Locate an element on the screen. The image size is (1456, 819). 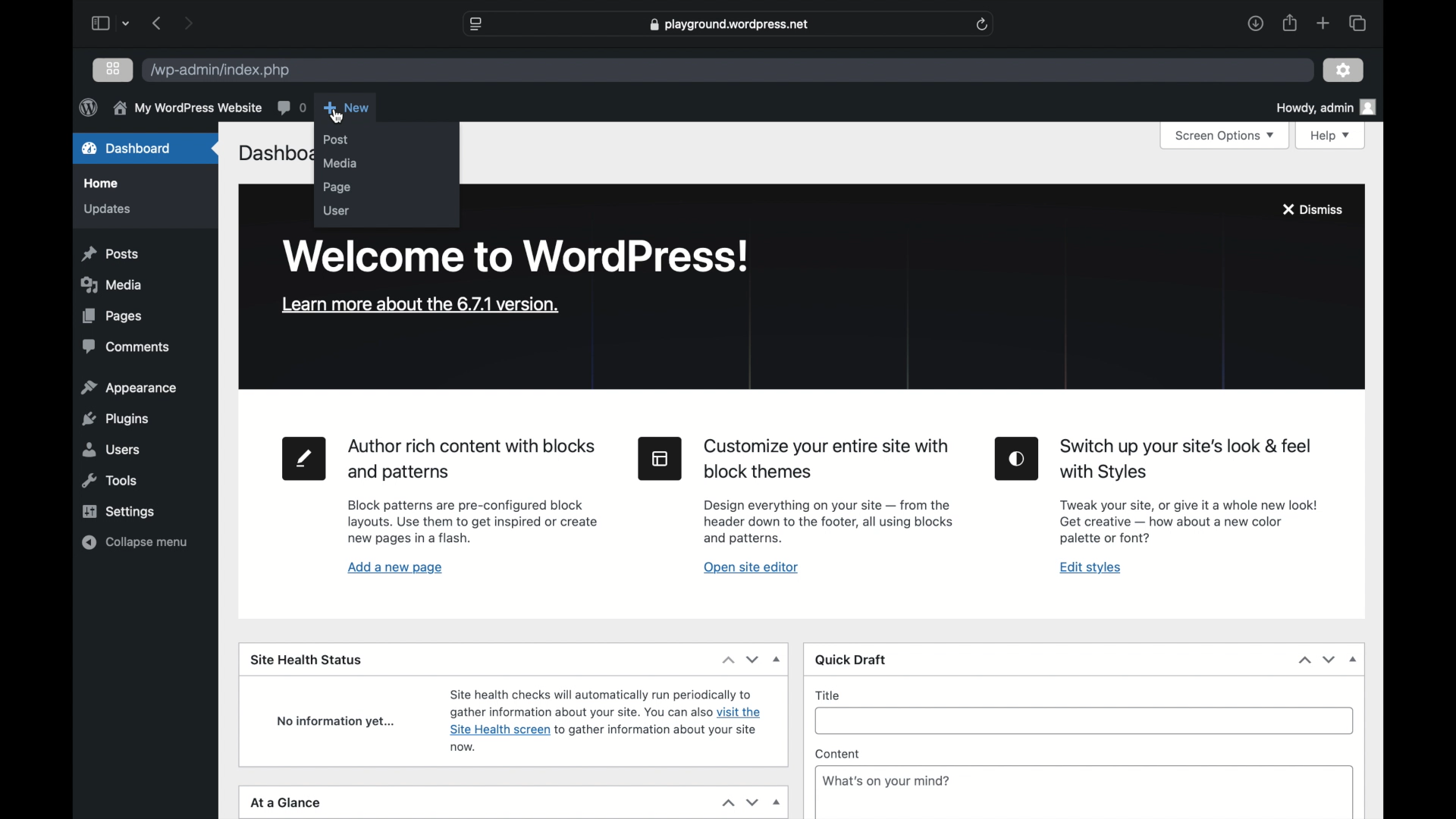
heading is located at coordinates (827, 459).